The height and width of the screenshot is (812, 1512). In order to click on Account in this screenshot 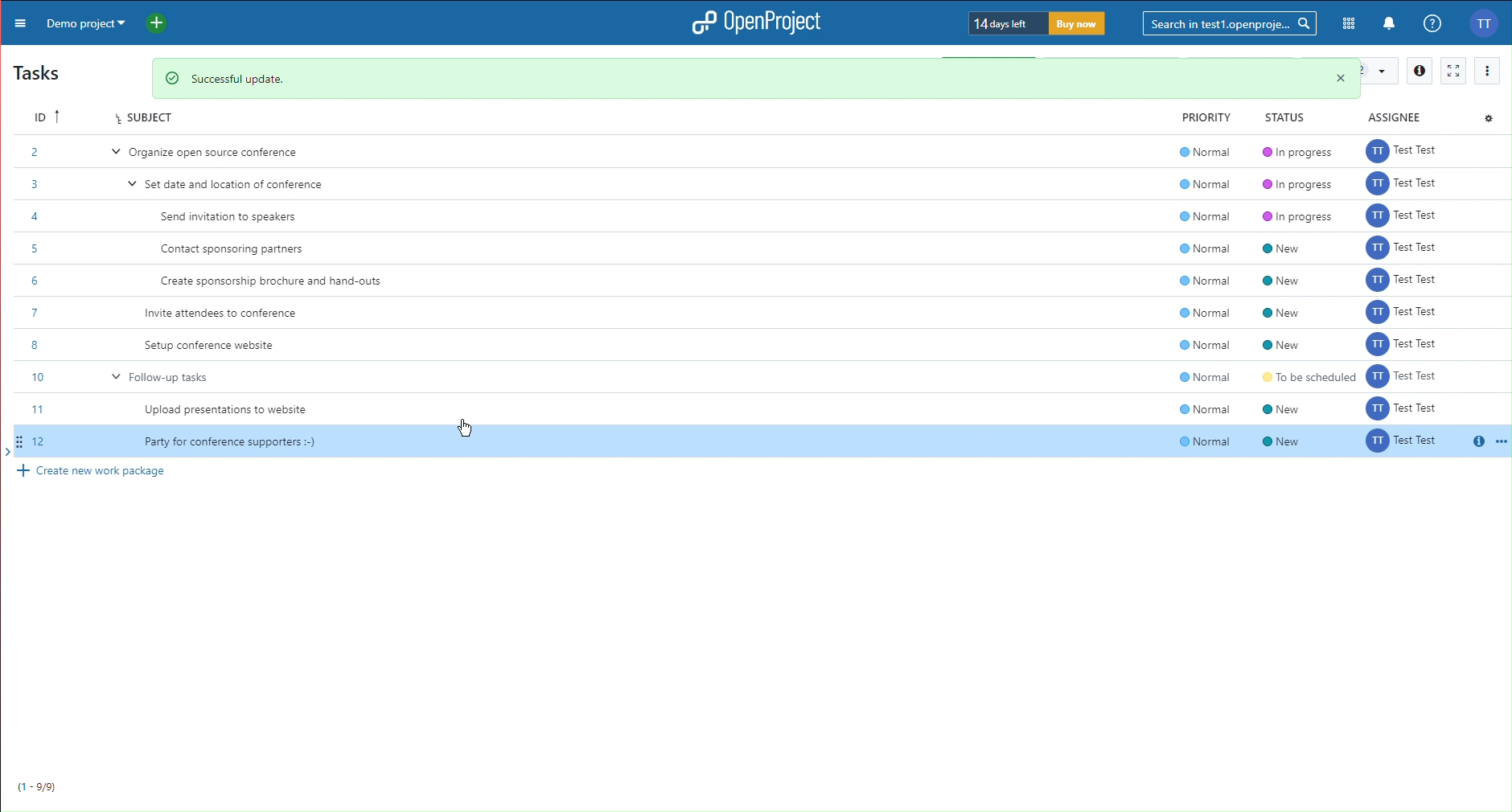, I will do `click(1489, 23)`.